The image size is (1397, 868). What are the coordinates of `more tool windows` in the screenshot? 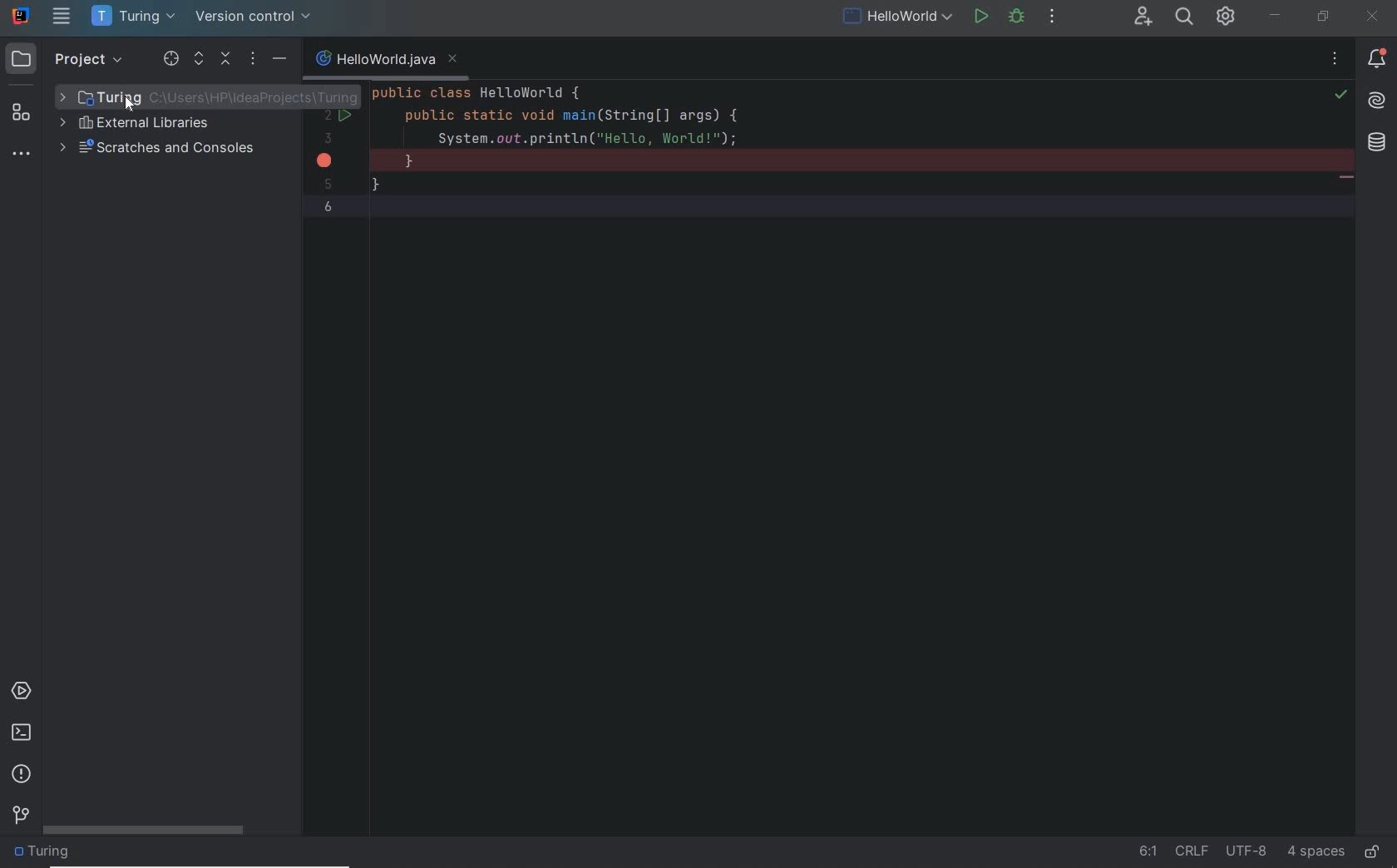 It's located at (23, 154).